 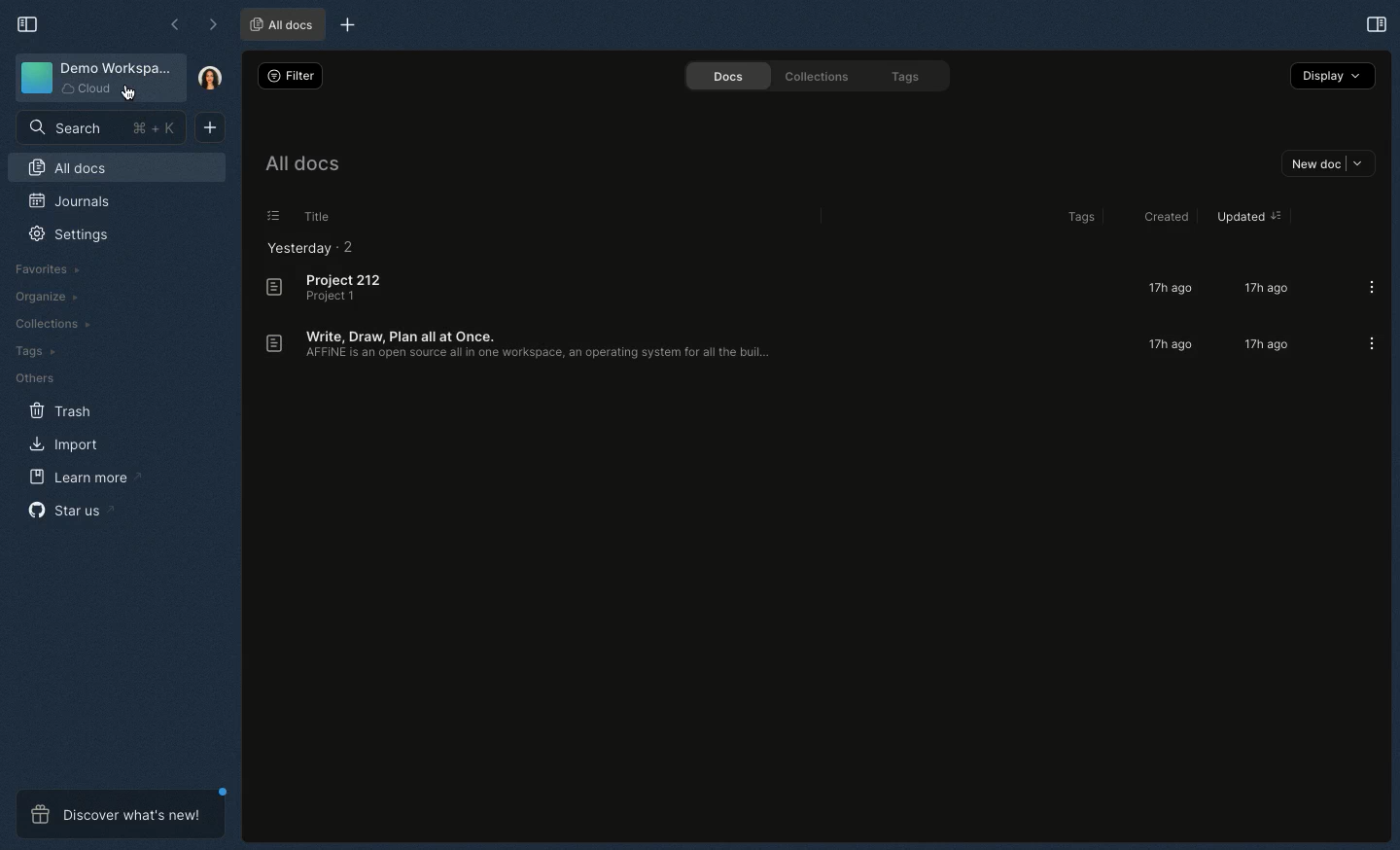 I want to click on Created, so click(x=1152, y=215).